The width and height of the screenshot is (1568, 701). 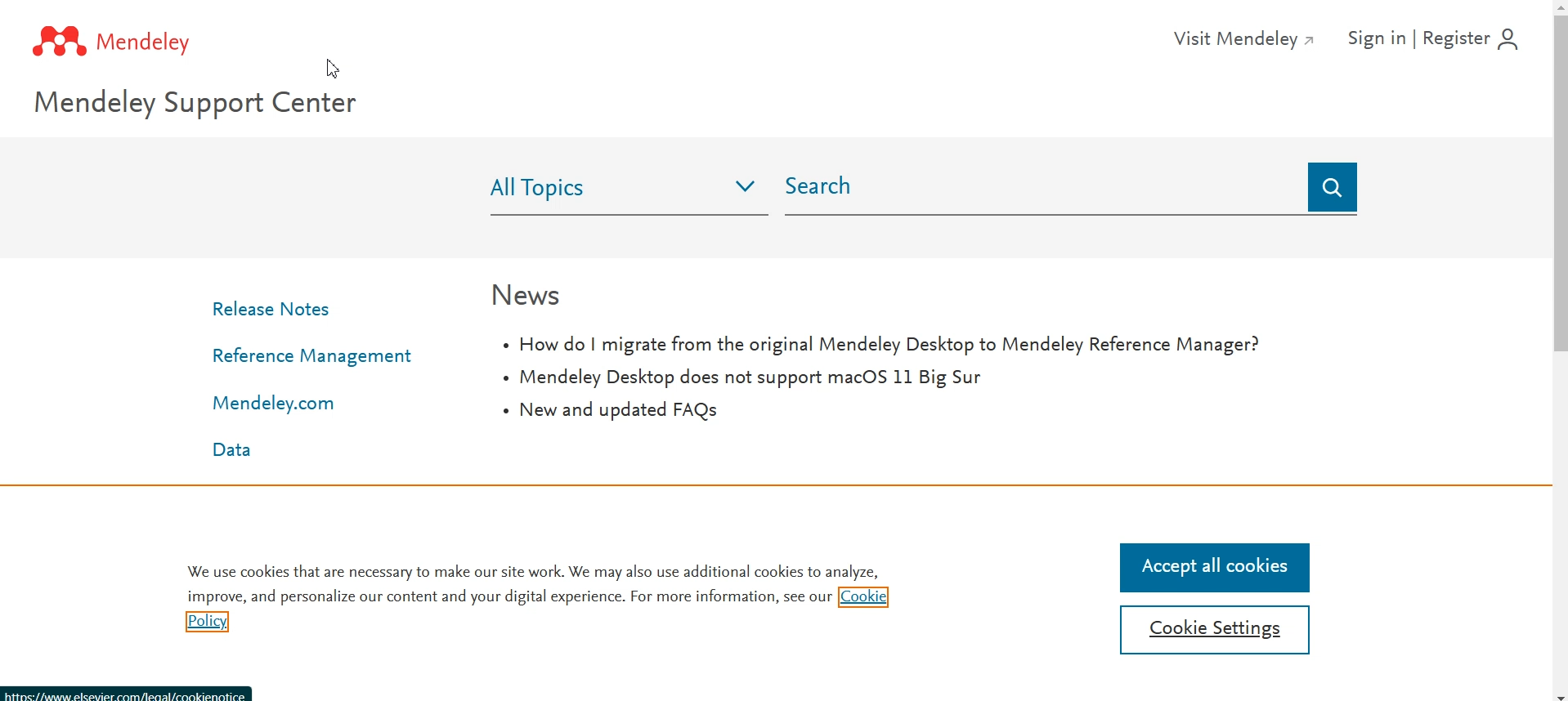 What do you see at coordinates (1558, 350) in the screenshot?
I see `Vertical scroll bar` at bounding box center [1558, 350].